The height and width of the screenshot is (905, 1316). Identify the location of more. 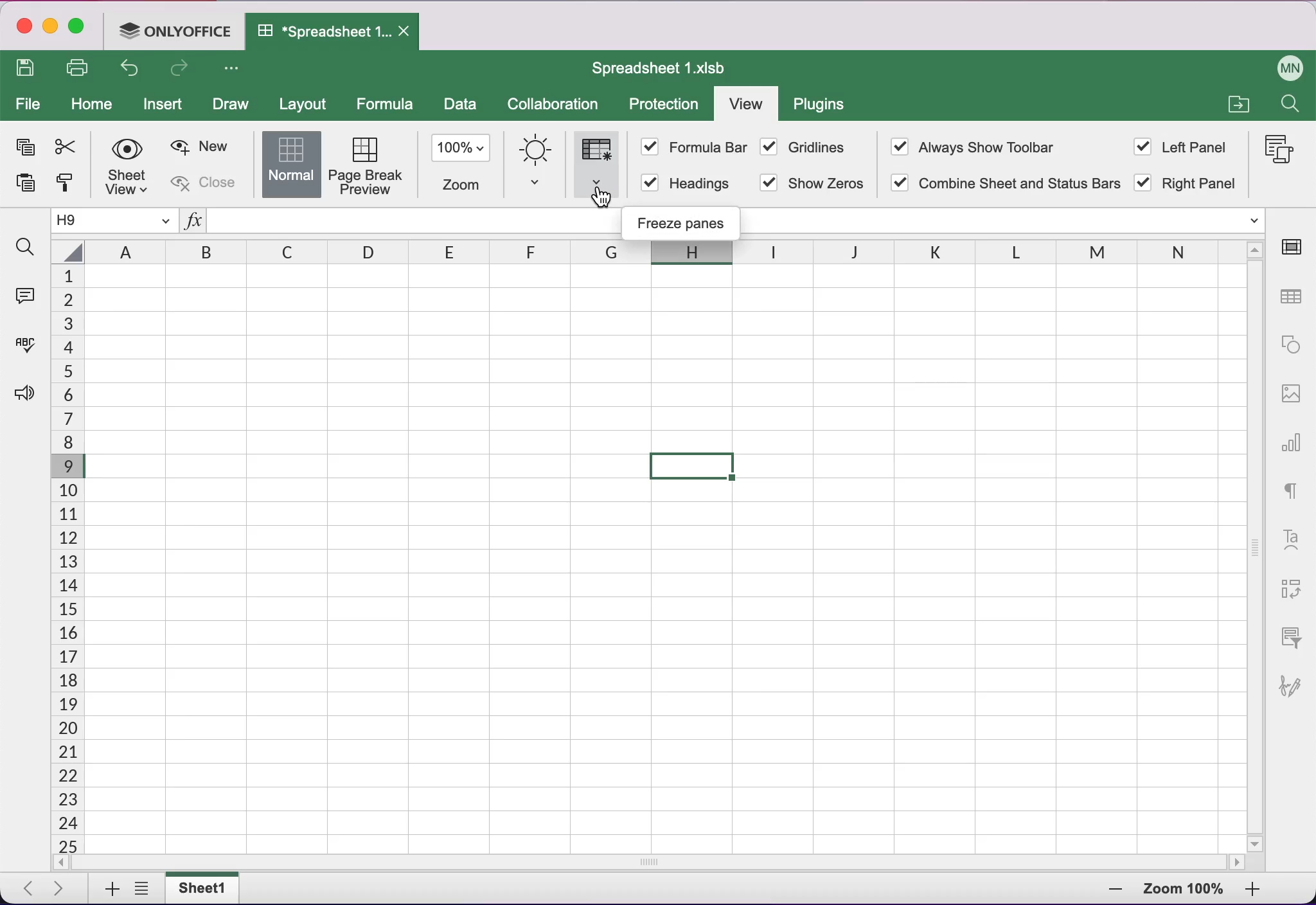
(231, 68).